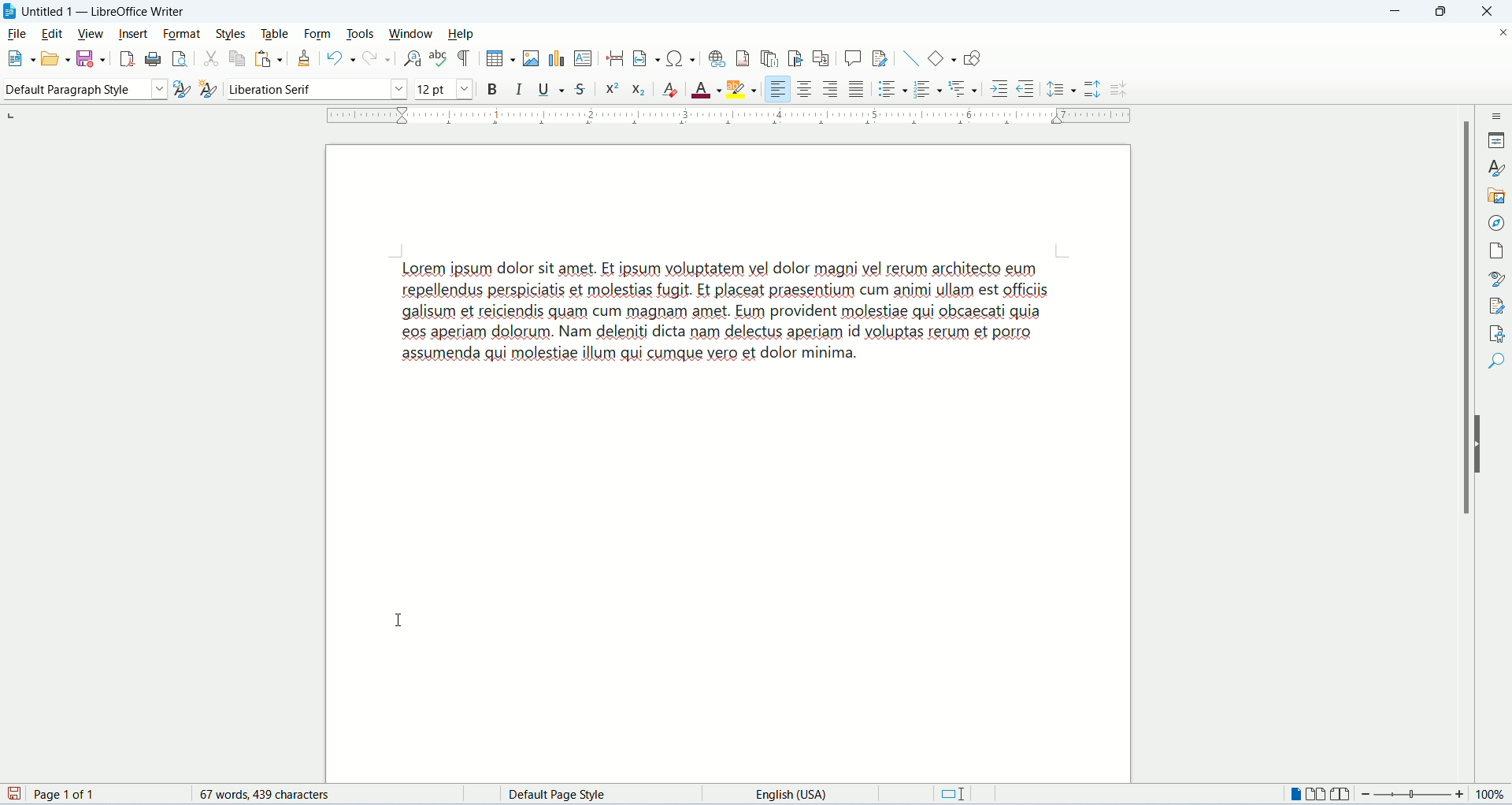 This screenshot has height=805, width=1512. Describe the element at coordinates (923, 91) in the screenshot. I see `ordered list` at that location.